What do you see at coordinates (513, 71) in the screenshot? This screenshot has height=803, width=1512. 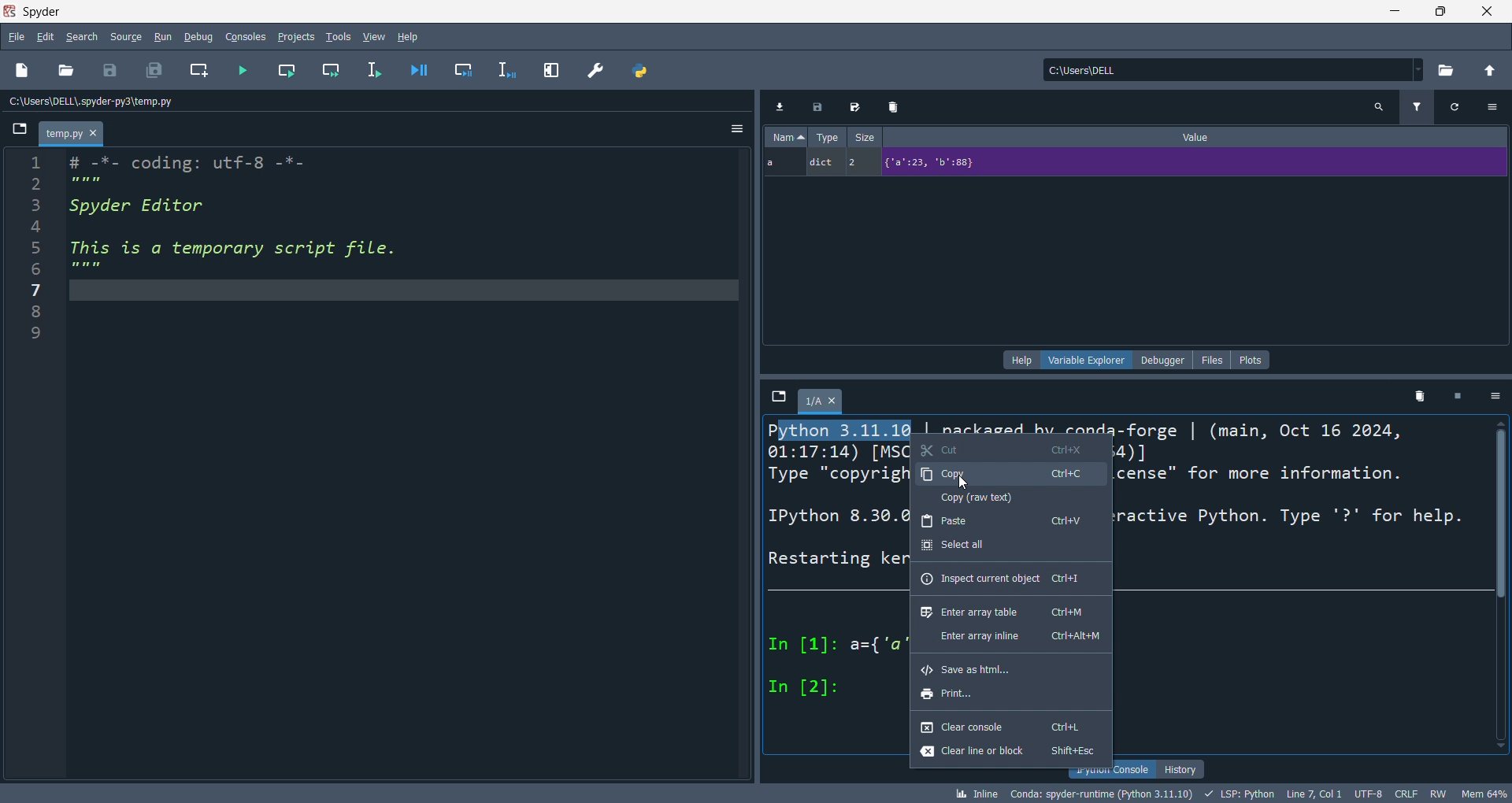 I see `debug line` at bounding box center [513, 71].